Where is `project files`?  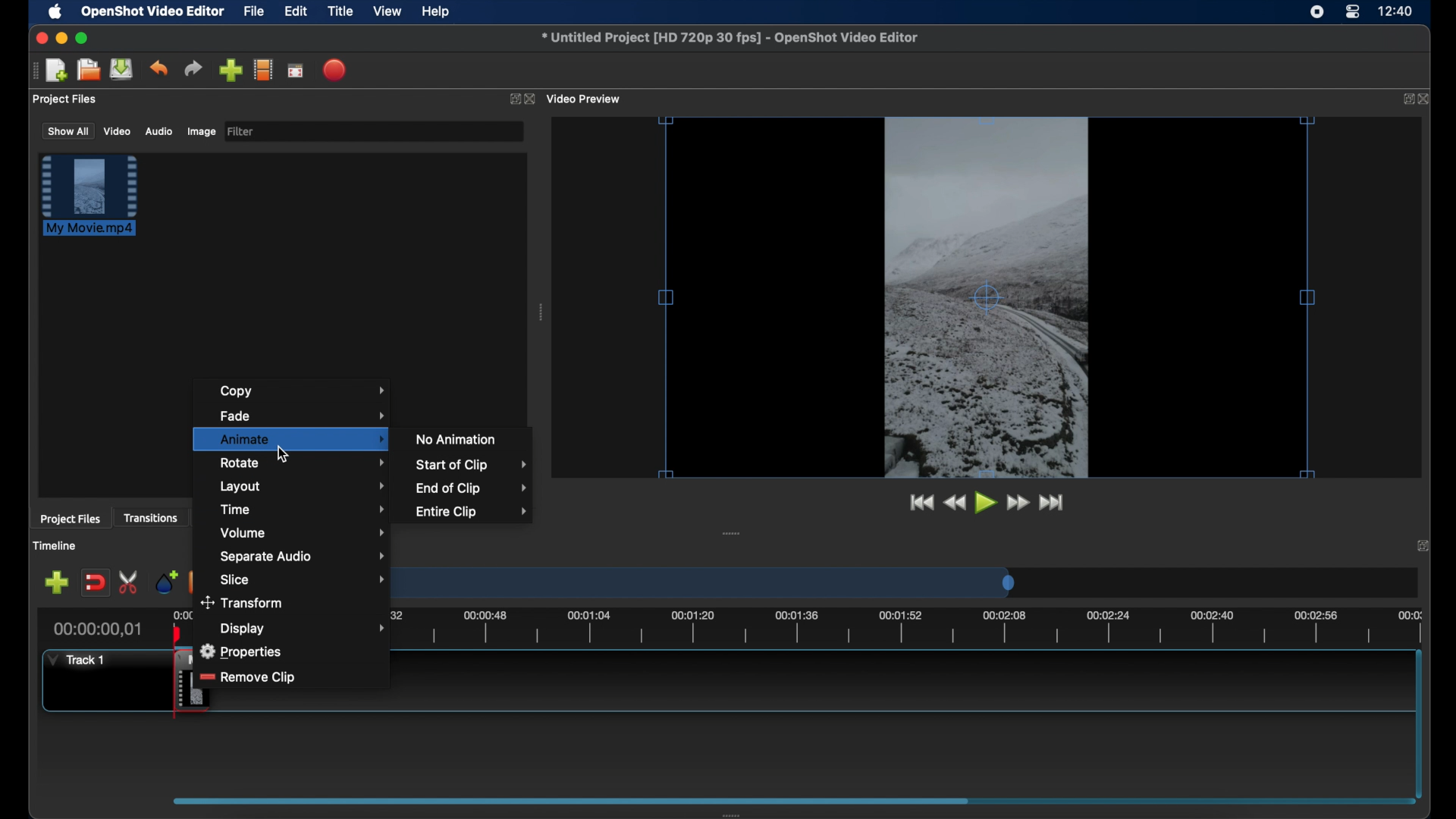 project files is located at coordinates (71, 519).